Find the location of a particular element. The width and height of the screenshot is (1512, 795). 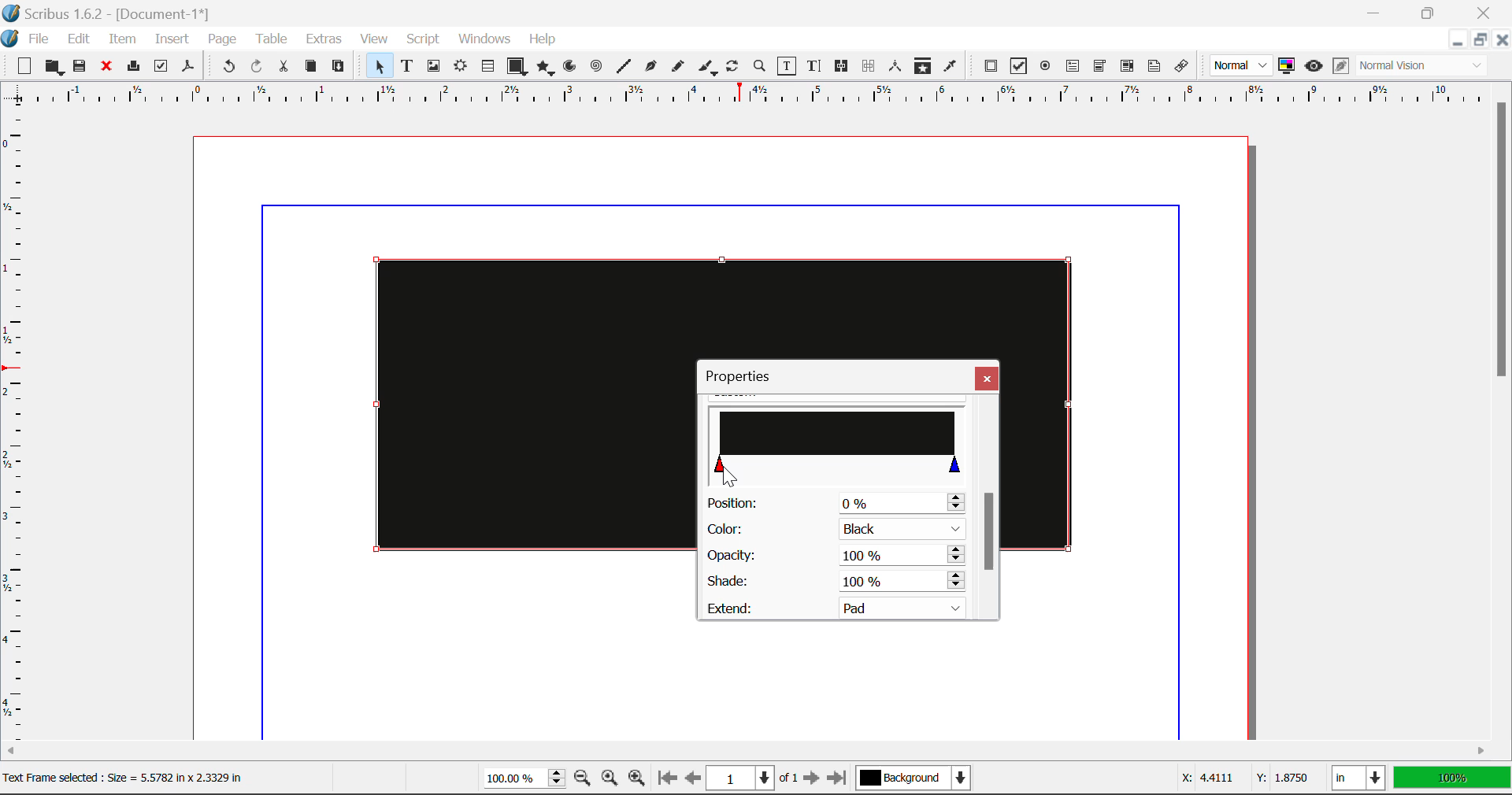

Windows is located at coordinates (483, 39).